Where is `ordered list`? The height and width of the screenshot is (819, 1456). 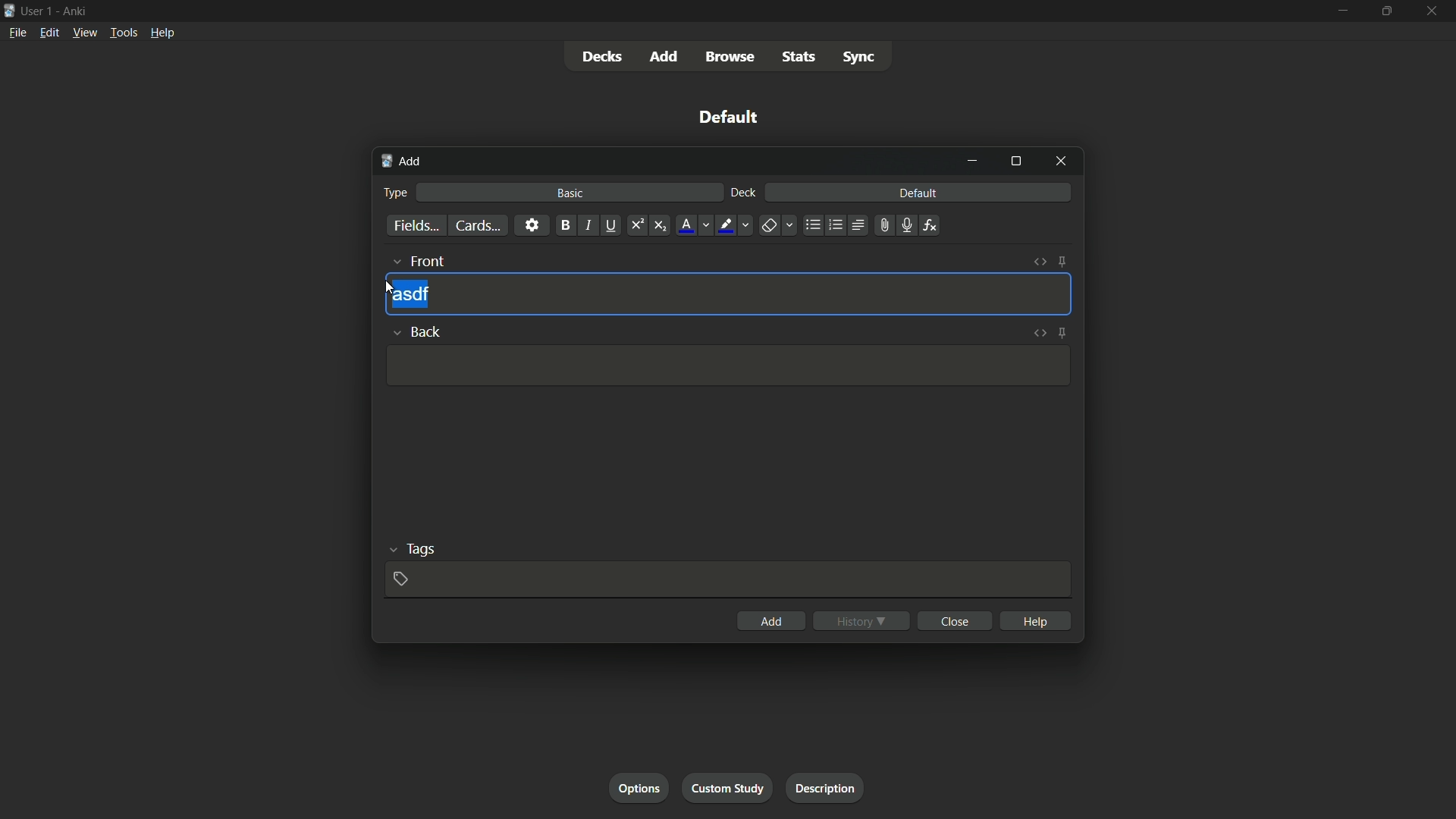
ordered list is located at coordinates (836, 226).